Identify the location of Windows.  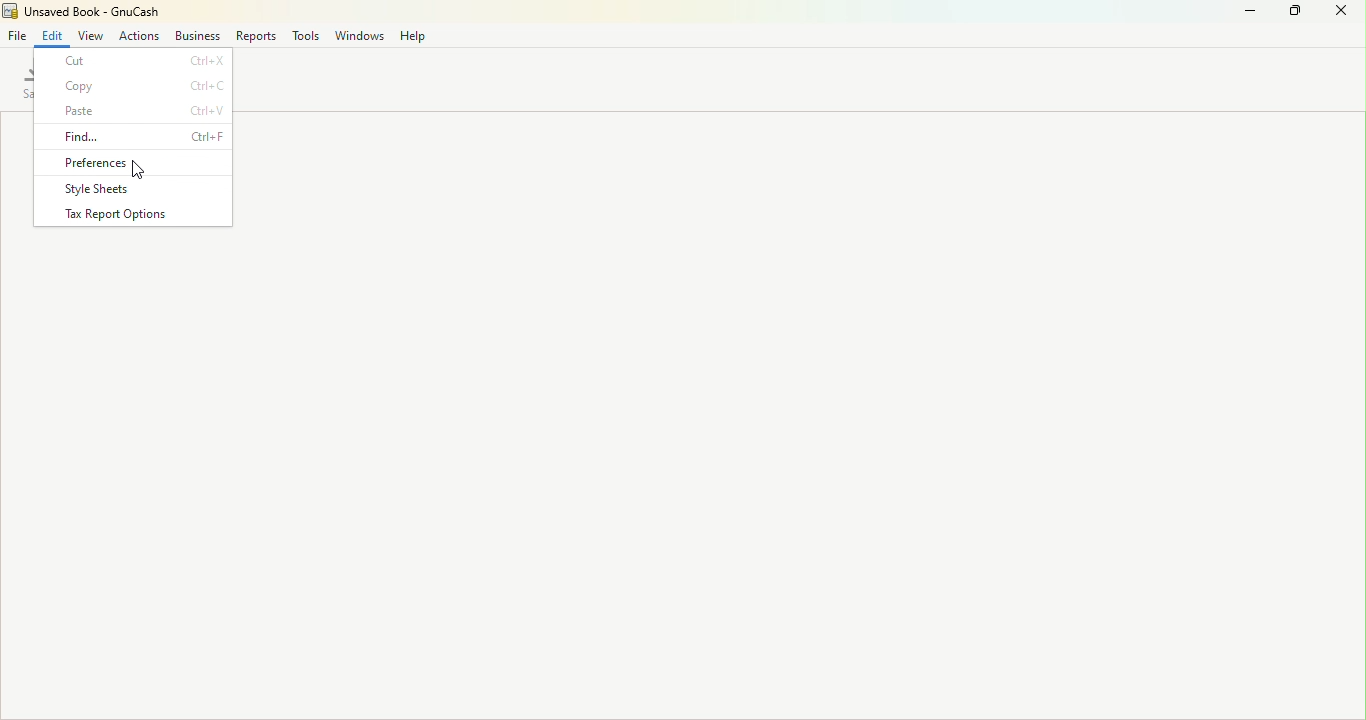
(361, 37).